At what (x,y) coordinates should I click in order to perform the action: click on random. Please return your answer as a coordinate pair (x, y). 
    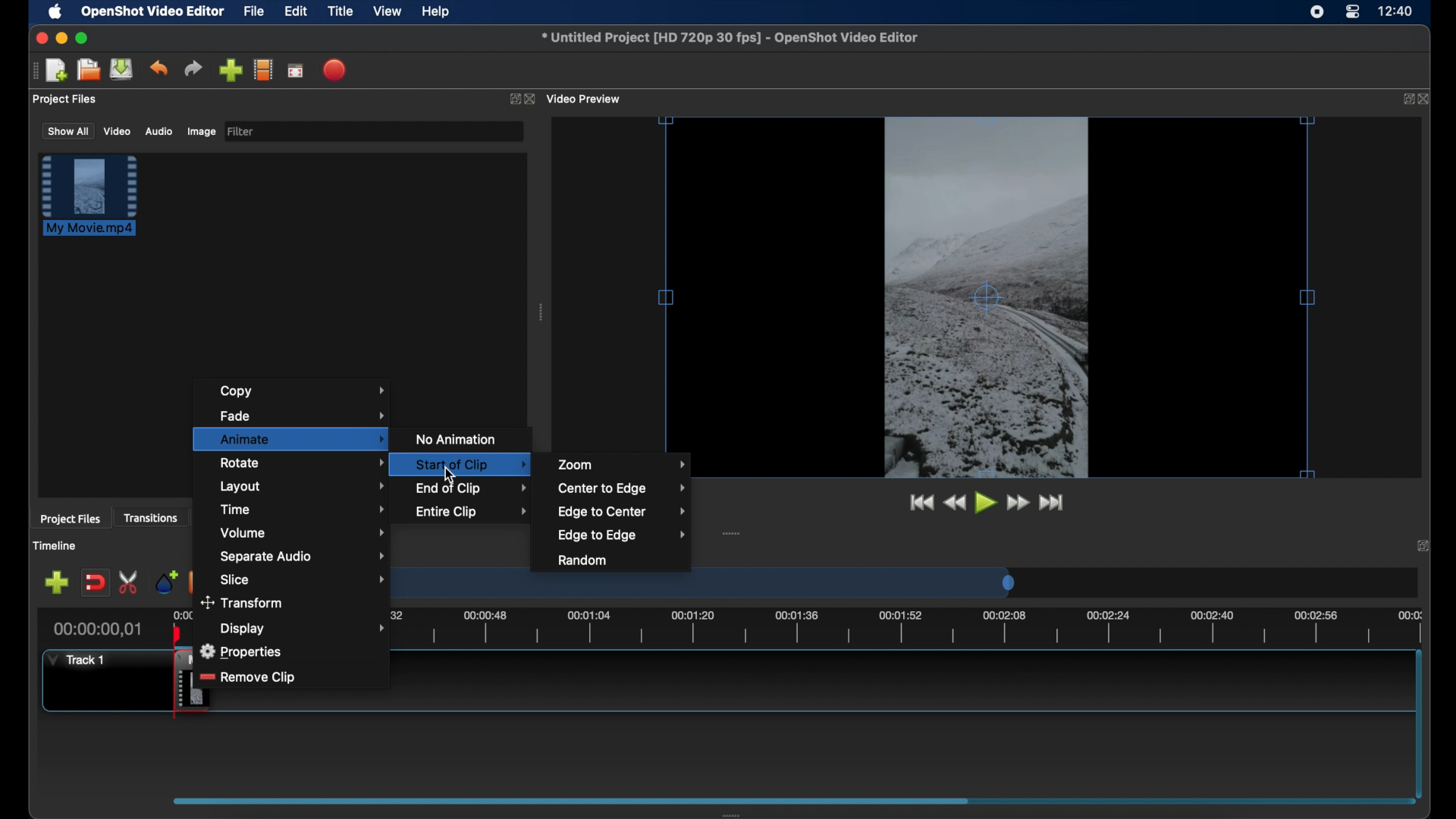
    Looking at the image, I should click on (582, 560).